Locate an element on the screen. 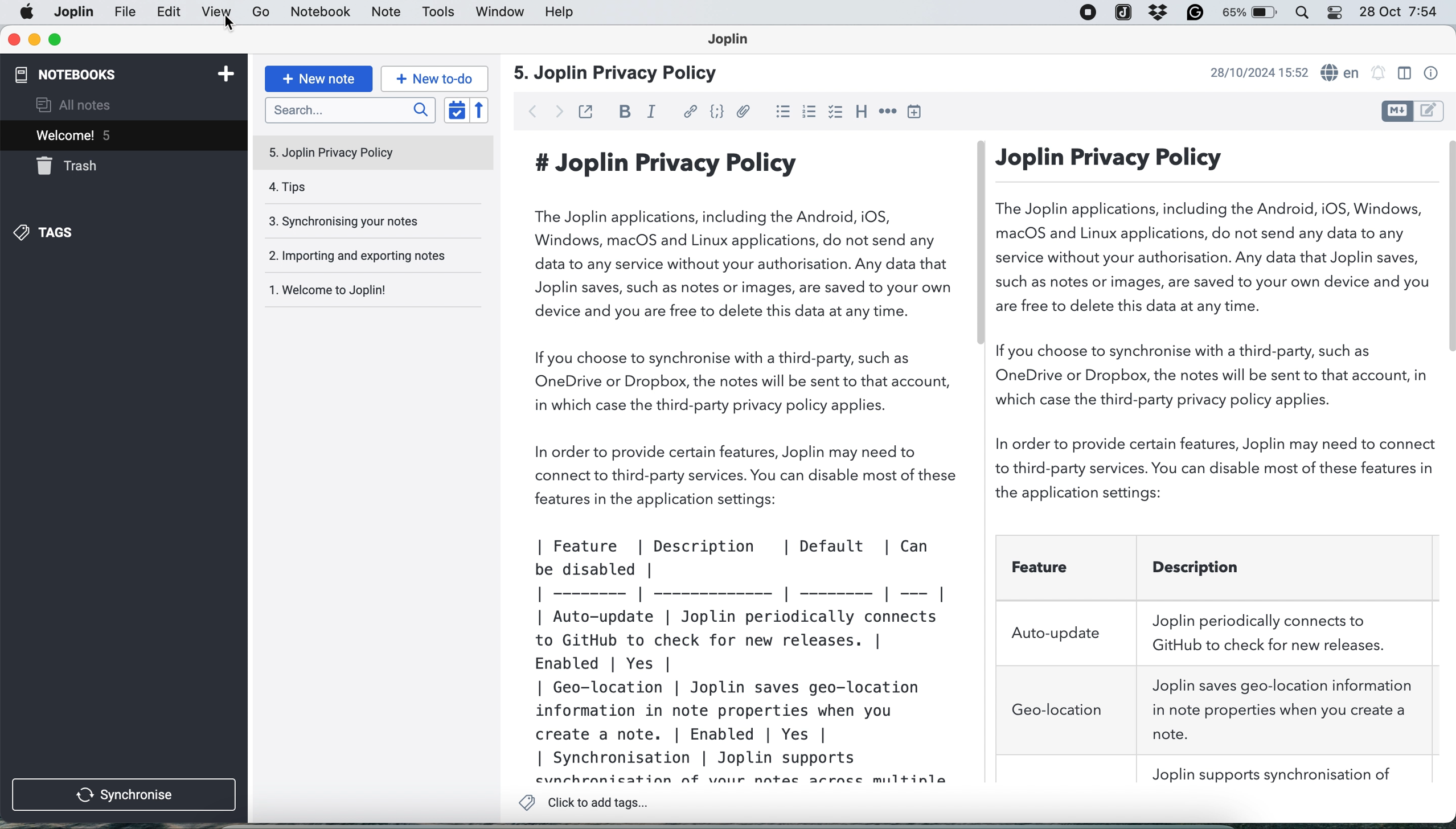 This screenshot has width=1456, height=829. alarm is located at coordinates (1379, 74).